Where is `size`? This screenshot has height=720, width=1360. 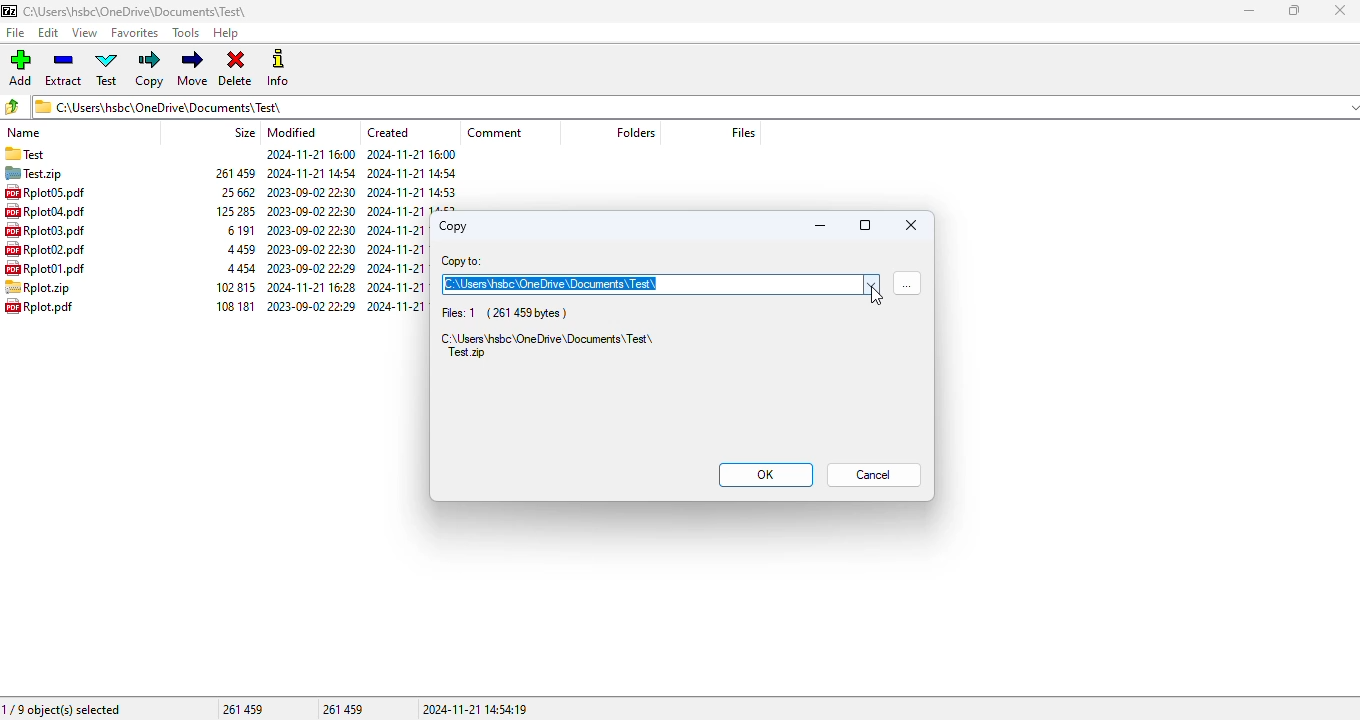 size is located at coordinates (239, 249).